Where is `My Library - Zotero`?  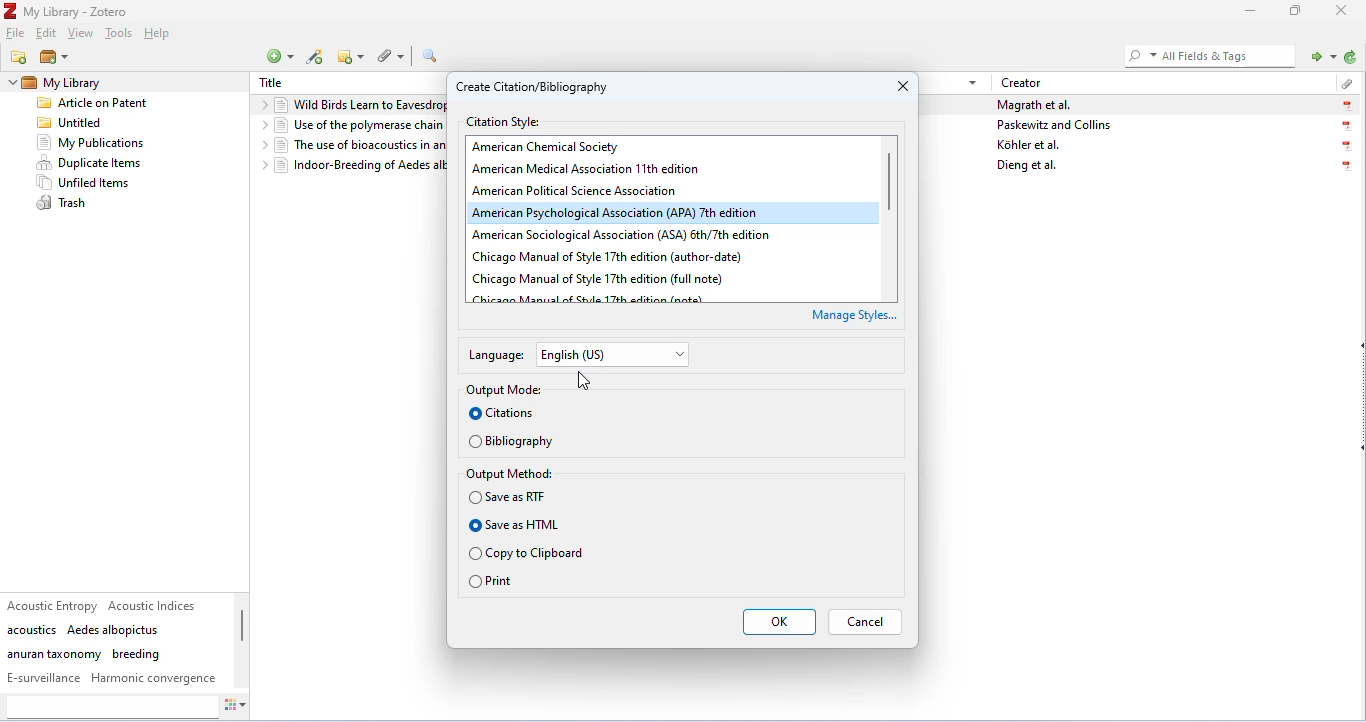
My Library - Zotero is located at coordinates (69, 12).